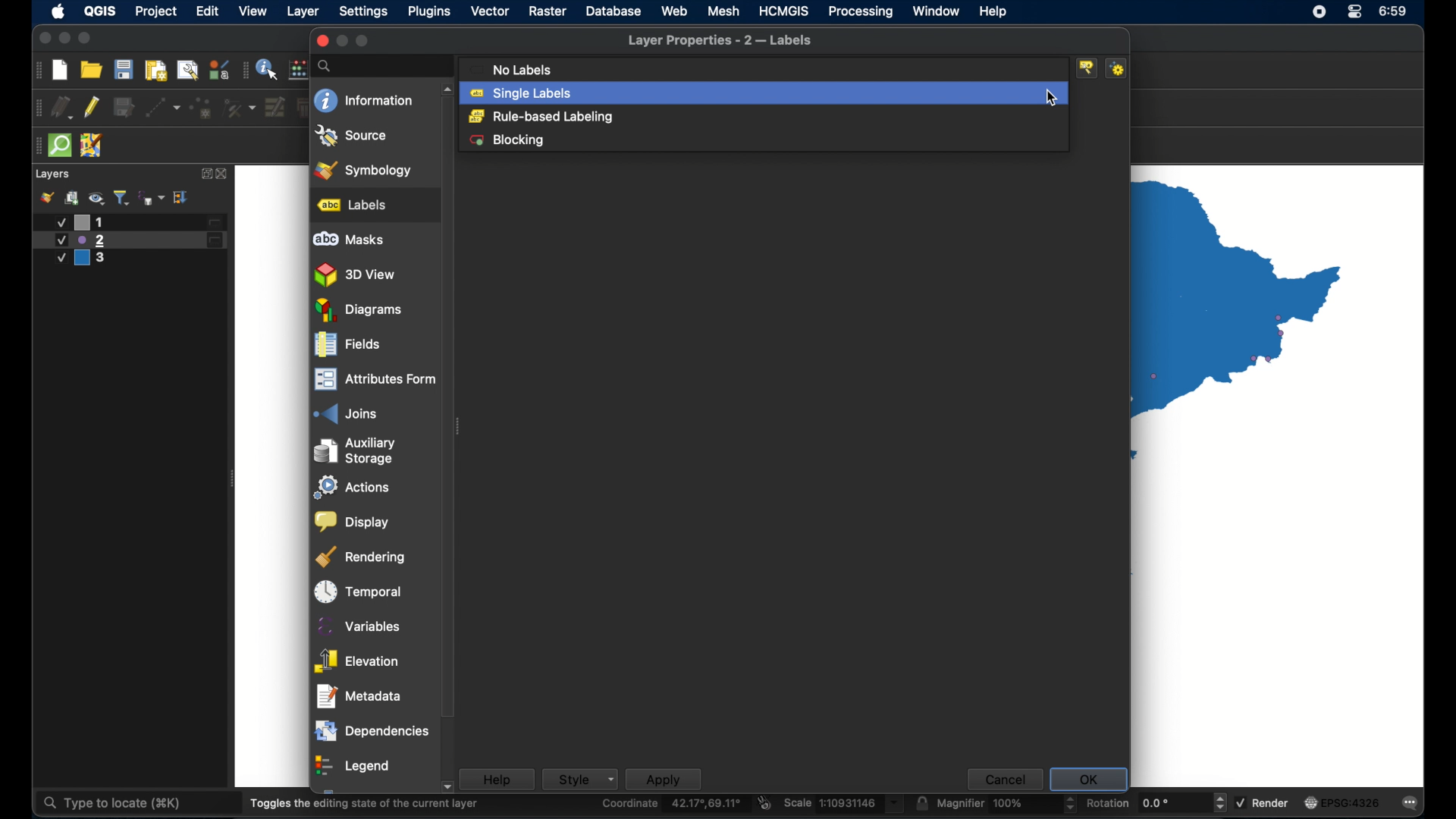  I want to click on current edits, so click(61, 107).